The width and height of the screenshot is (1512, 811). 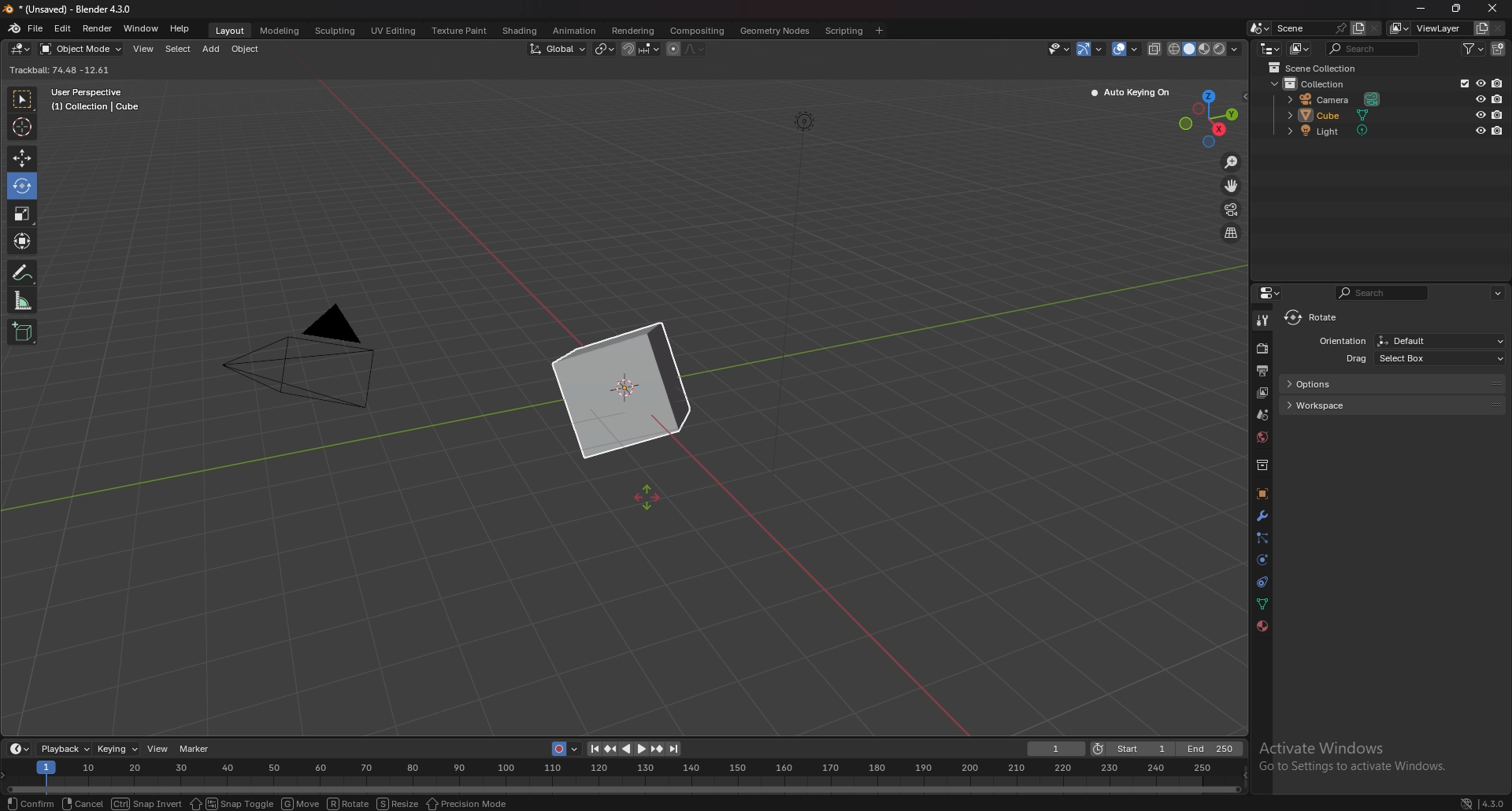 I want to click on editor type, so click(x=20, y=748).